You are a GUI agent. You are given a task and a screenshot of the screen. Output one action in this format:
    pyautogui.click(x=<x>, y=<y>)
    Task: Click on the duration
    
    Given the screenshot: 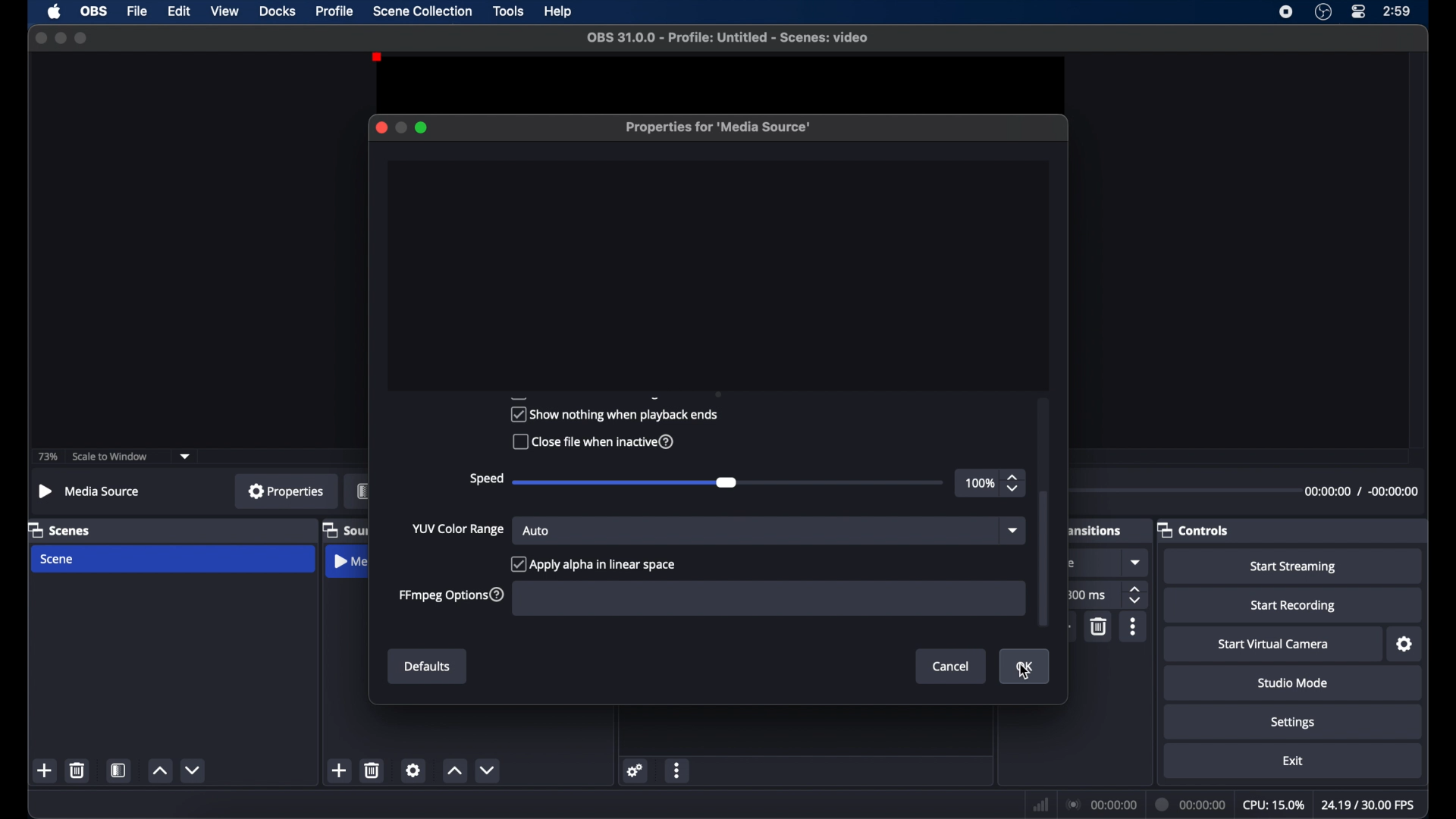 What is the action you would take?
    pyautogui.click(x=1191, y=805)
    